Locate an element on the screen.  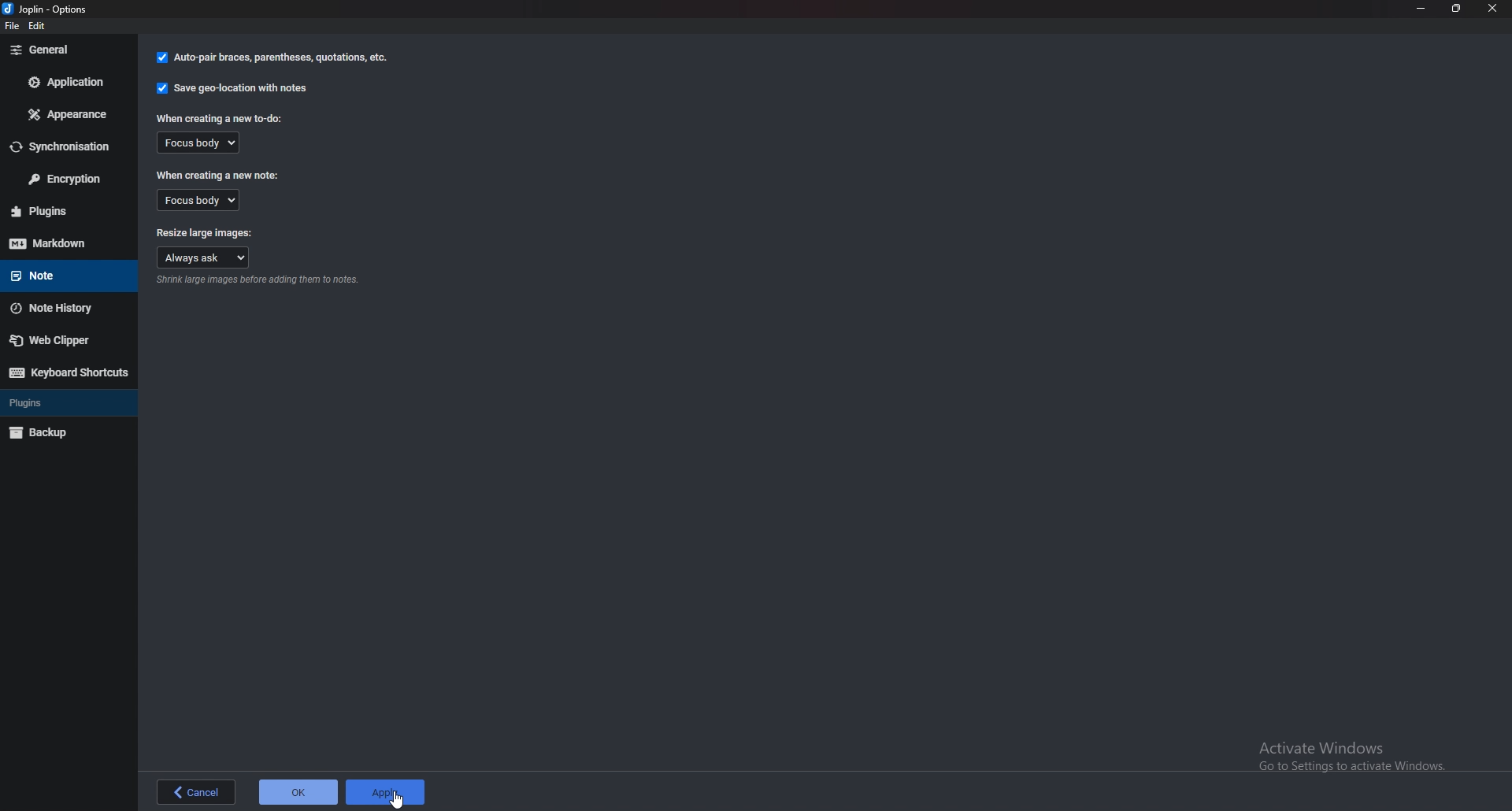
General is located at coordinates (64, 50).